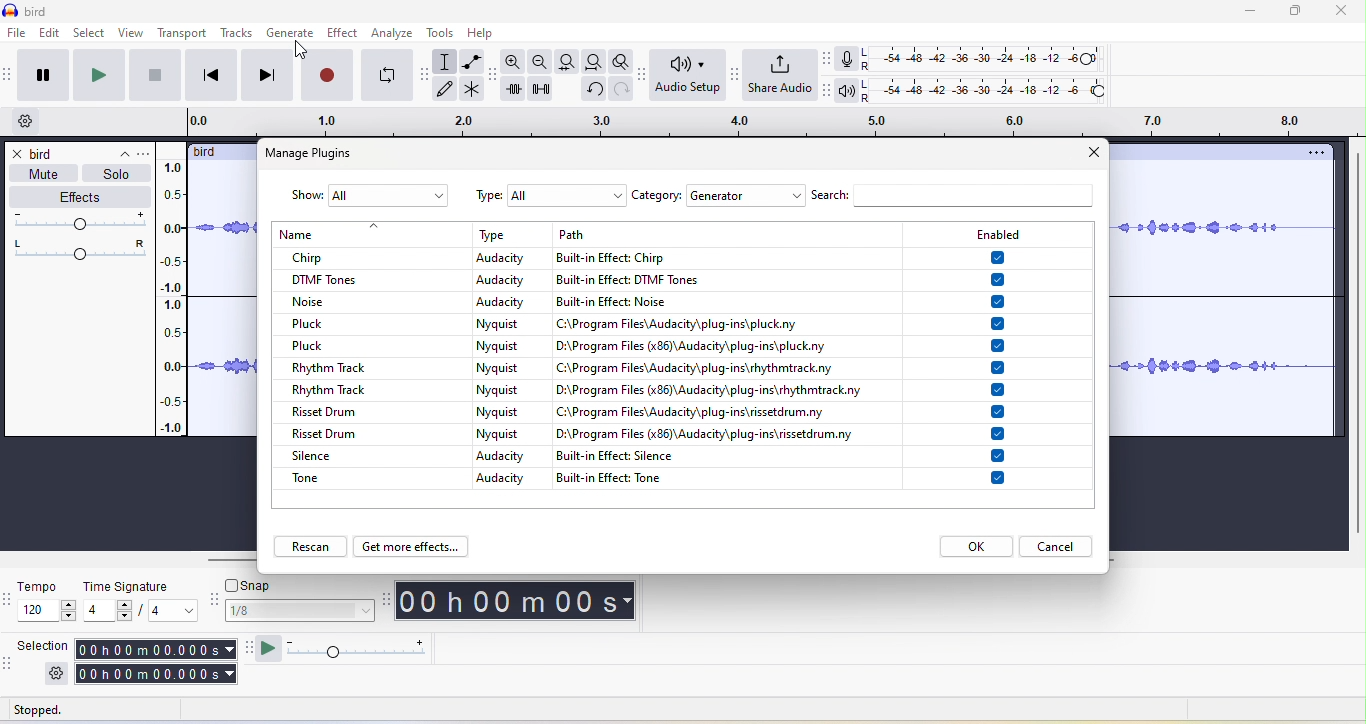  I want to click on redo, so click(619, 89).